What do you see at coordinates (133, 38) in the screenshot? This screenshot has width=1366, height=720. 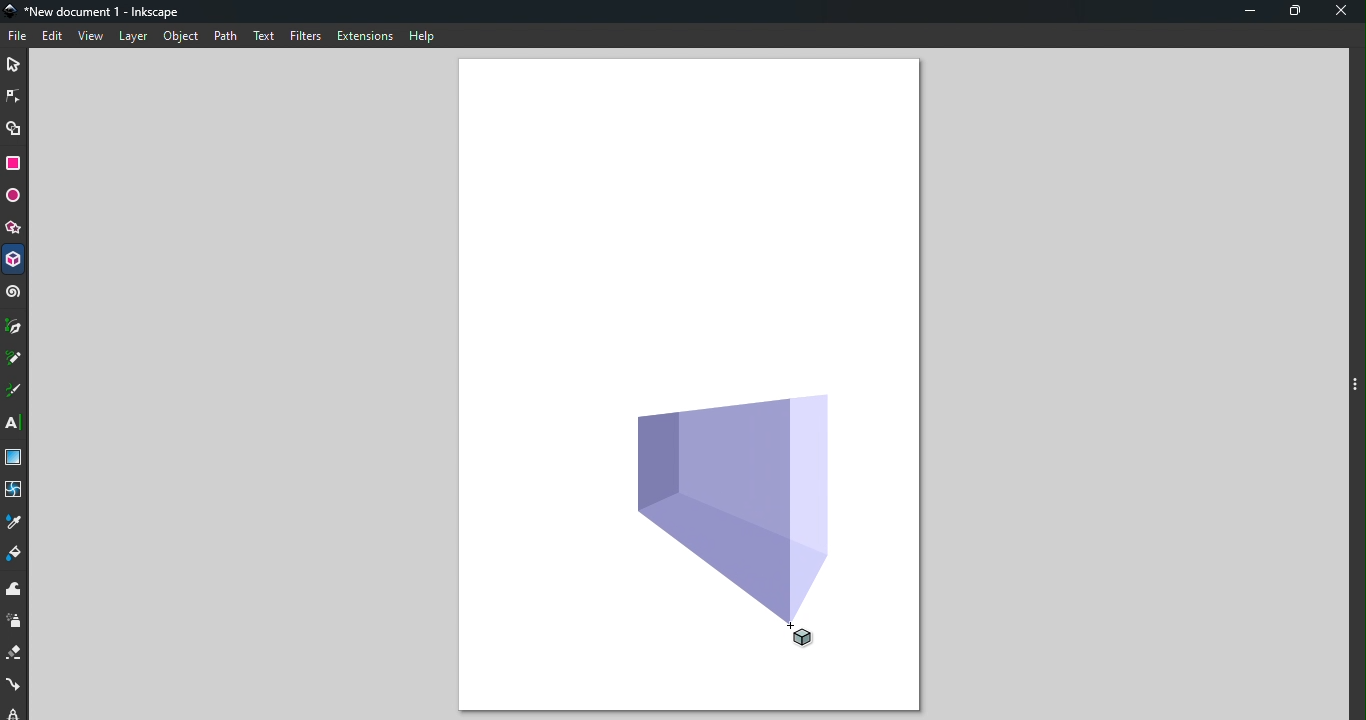 I see `Layer` at bounding box center [133, 38].